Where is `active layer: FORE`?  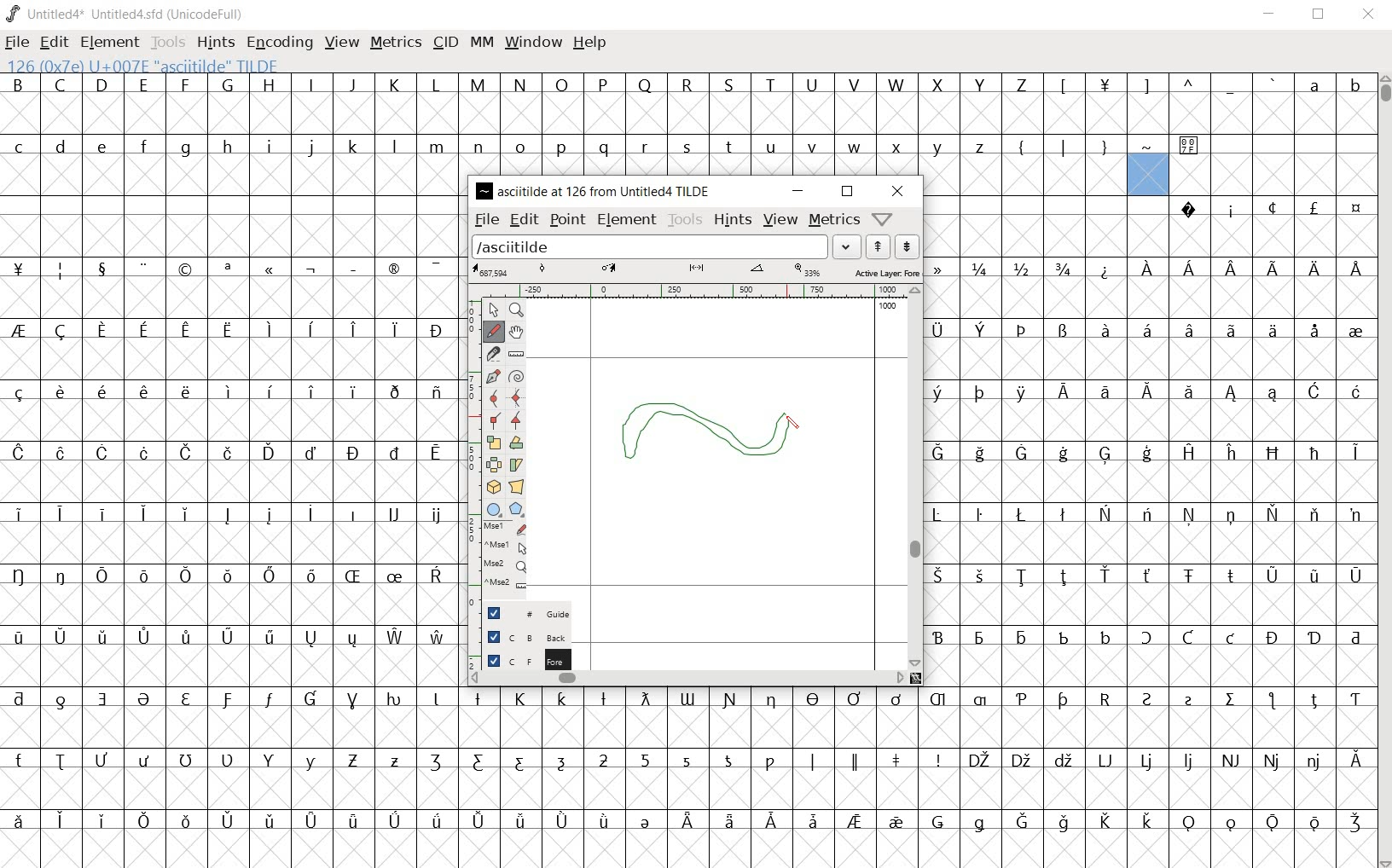
active layer: FORE is located at coordinates (694, 271).